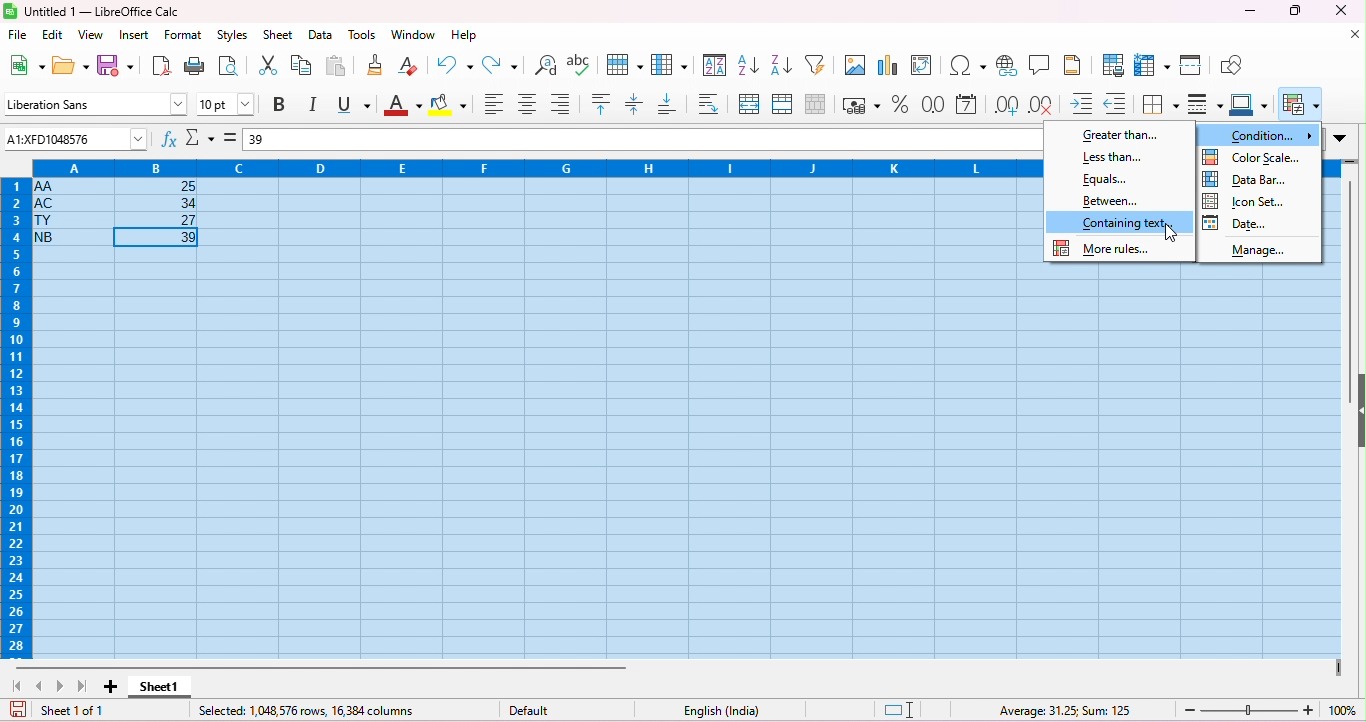 Image resolution: width=1366 pixels, height=722 pixels. What do you see at coordinates (22, 686) in the screenshot?
I see `first sheet` at bounding box center [22, 686].